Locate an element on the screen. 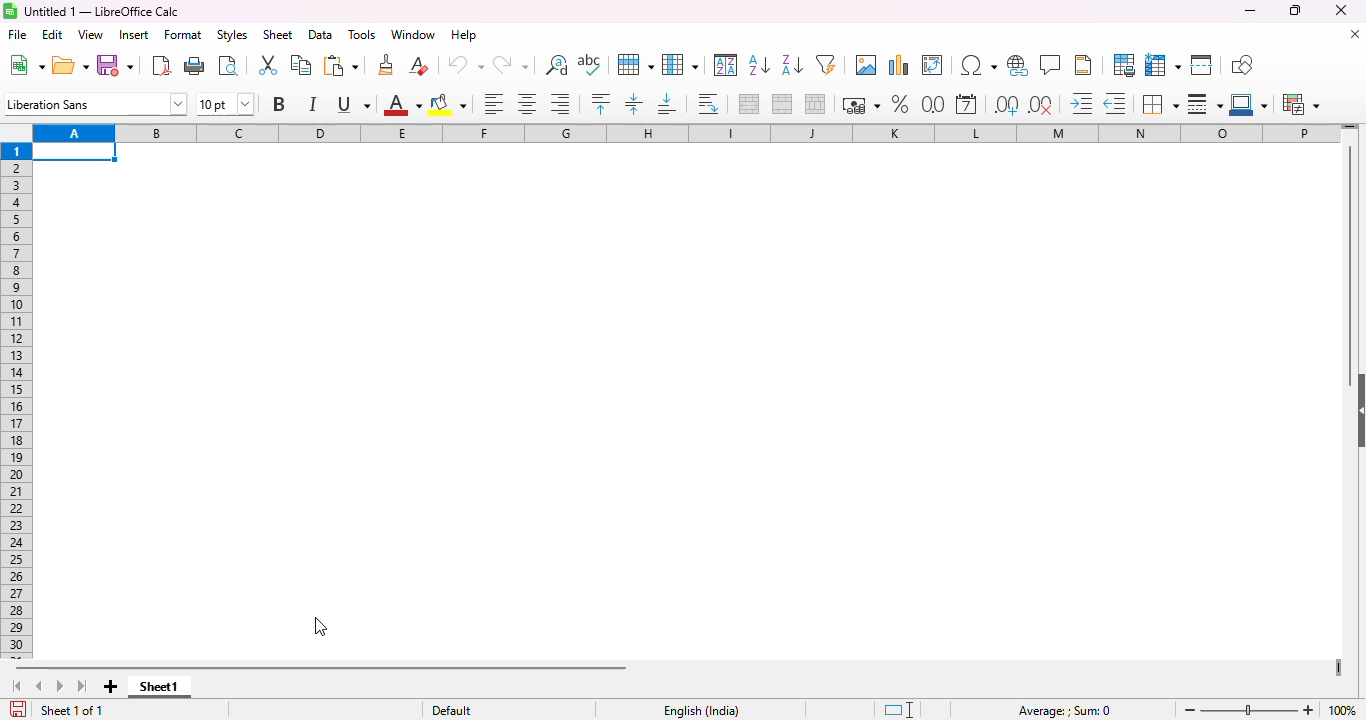 This screenshot has width=1366, height=720. row is located at coordinates (636, 64).